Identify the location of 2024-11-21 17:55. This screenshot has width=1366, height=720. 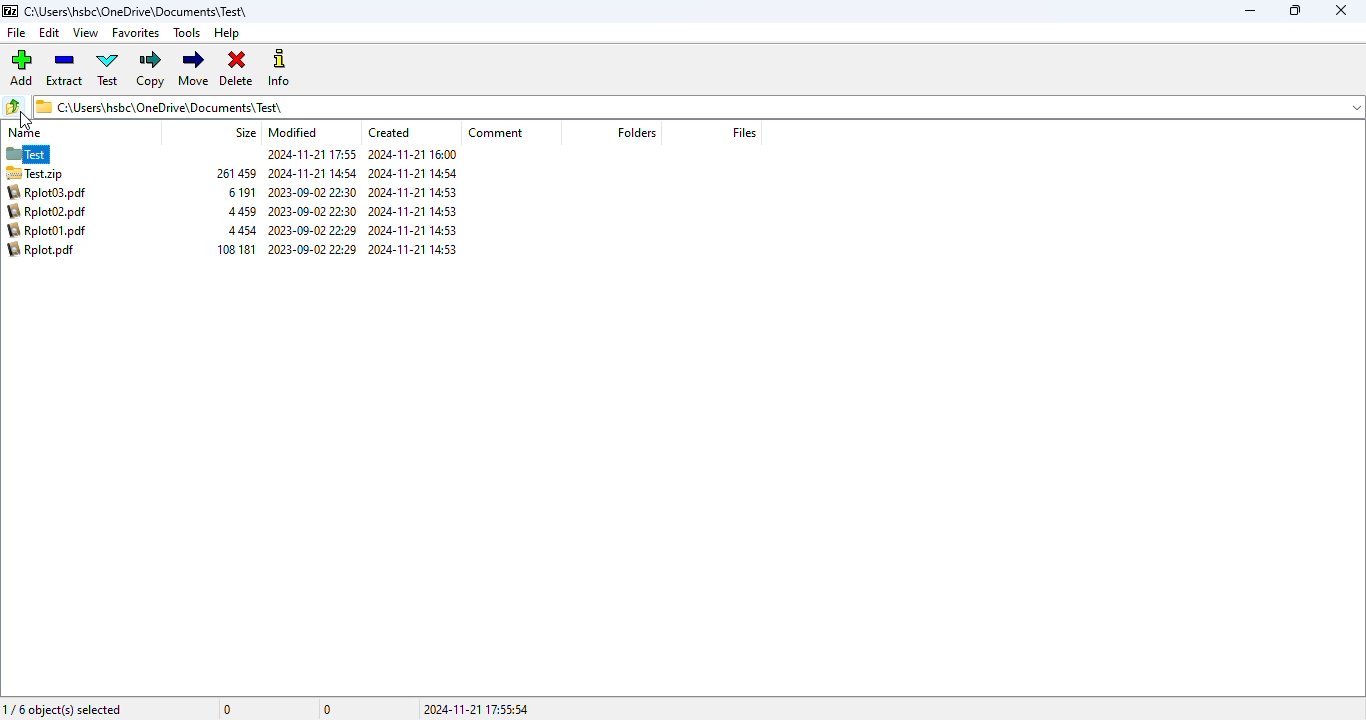
(312, 154).